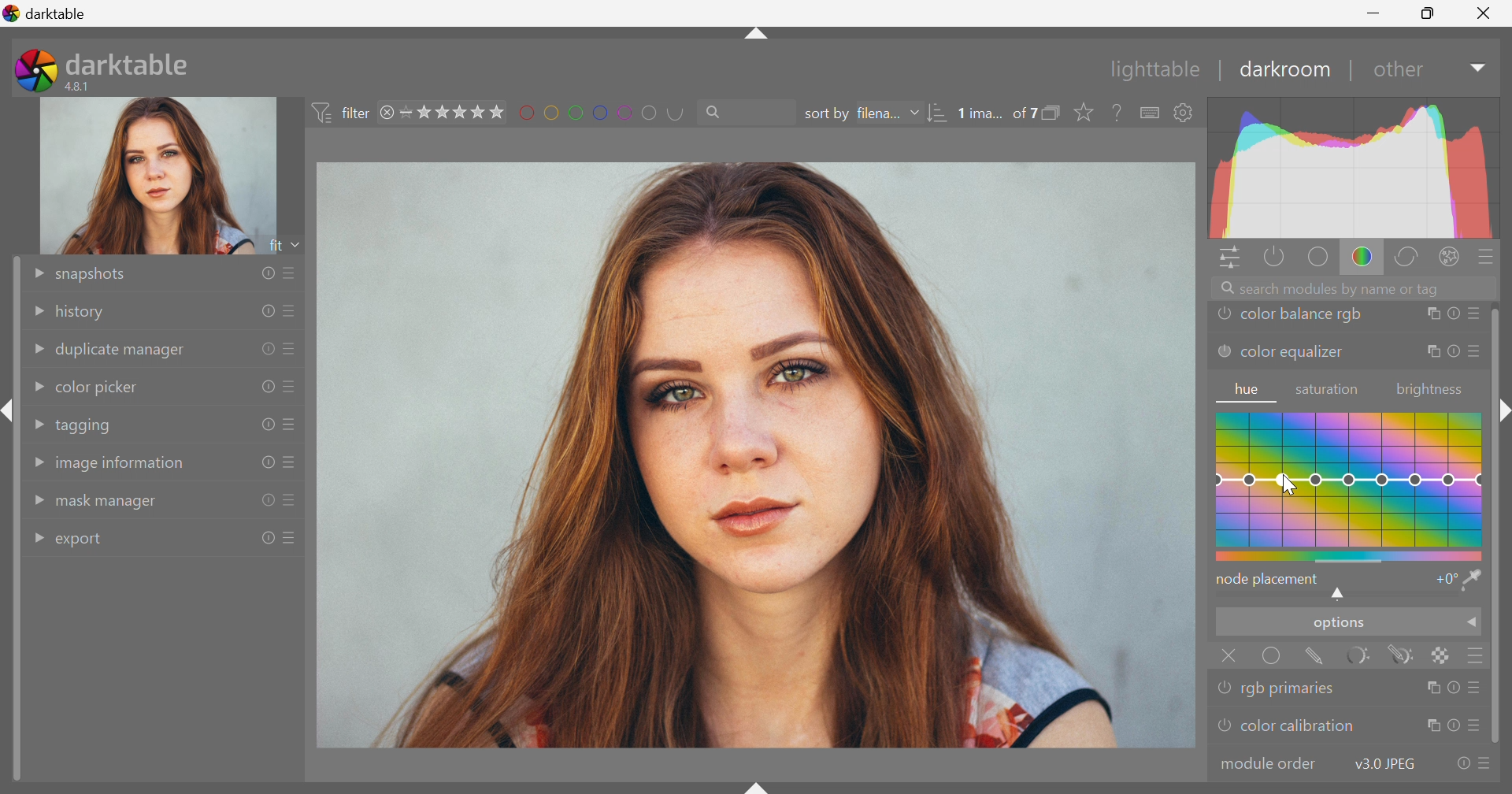 This screenshot has width=1512, height=794. I want to click on sort by, so click(825, 114).